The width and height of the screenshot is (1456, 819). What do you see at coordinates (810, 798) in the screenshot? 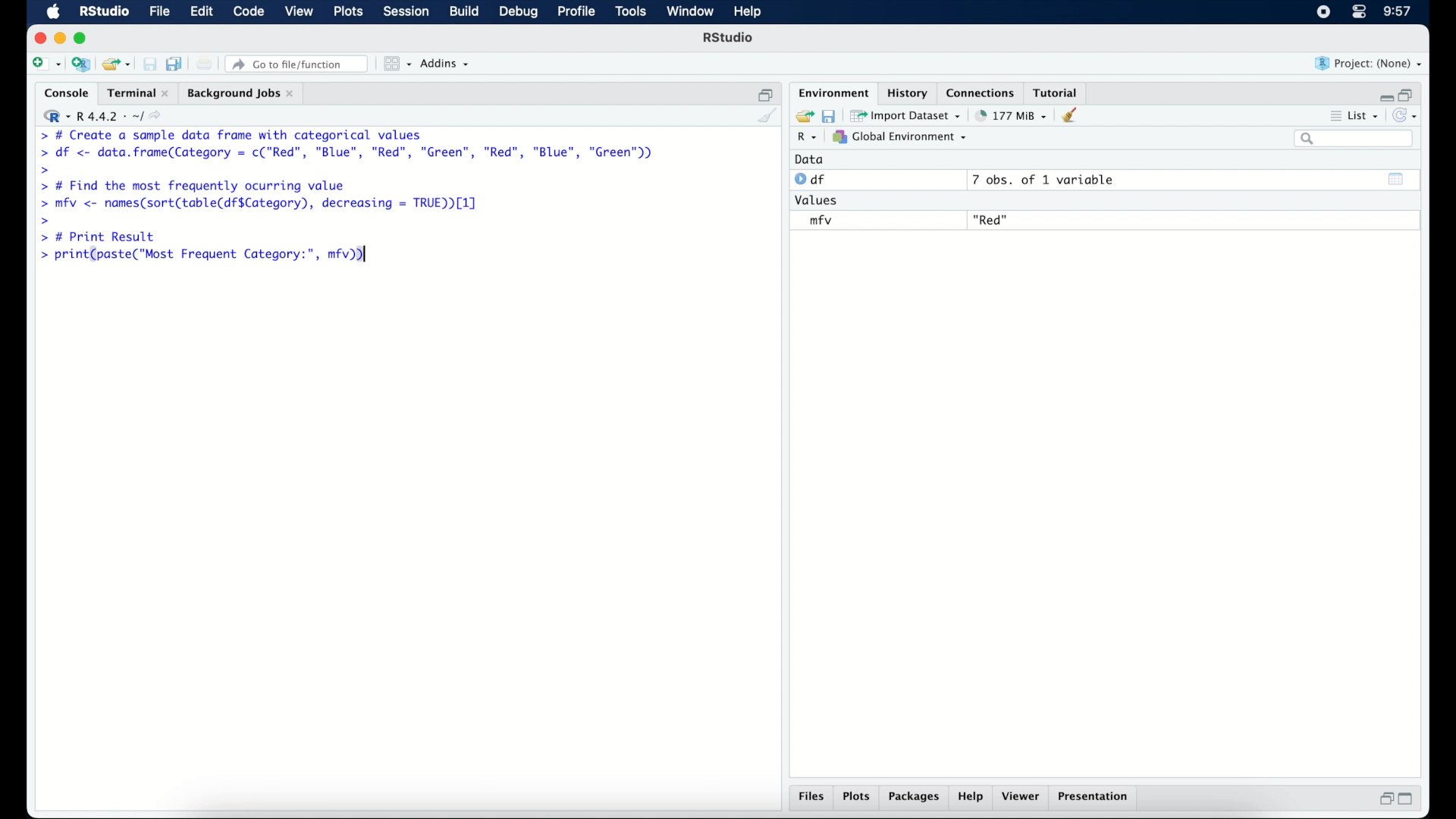
I see `files` at bounding box center [810, 798].